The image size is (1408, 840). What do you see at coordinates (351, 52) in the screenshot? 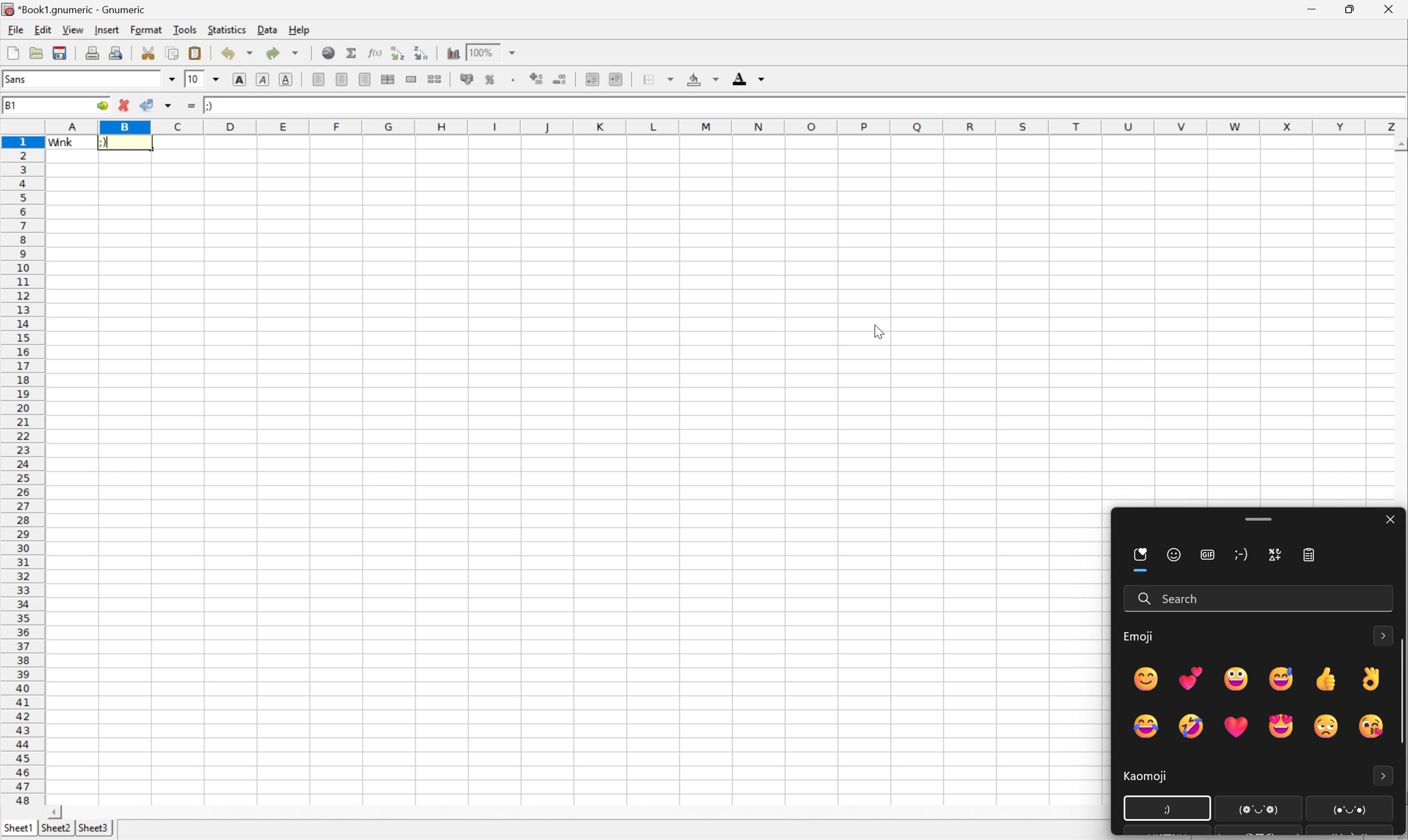
I see `sum in current cell` at bounding box center [351, 52].